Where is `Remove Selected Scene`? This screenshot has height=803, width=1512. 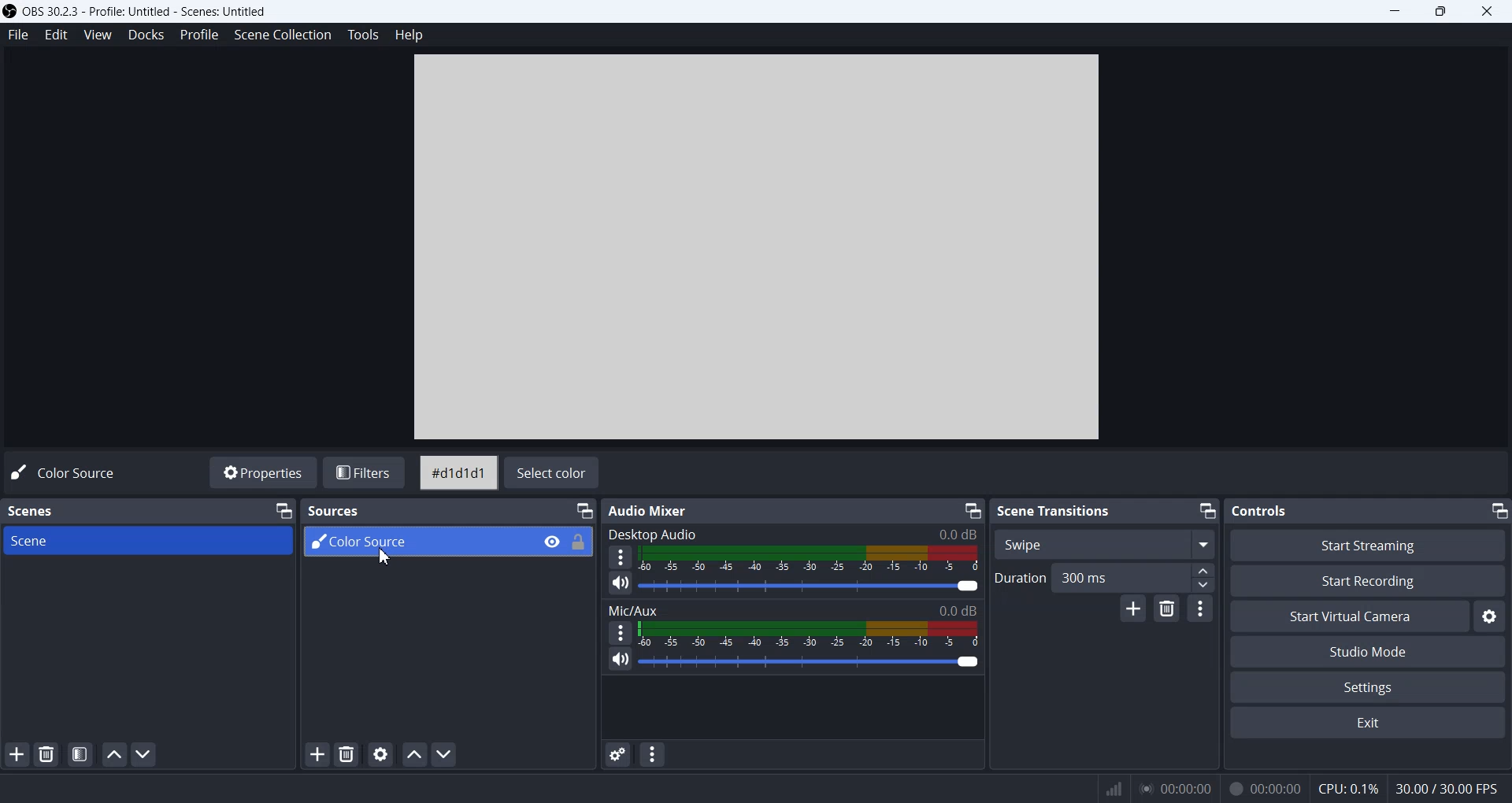 Remove Selected Scene is located at coordinates (48, 754).